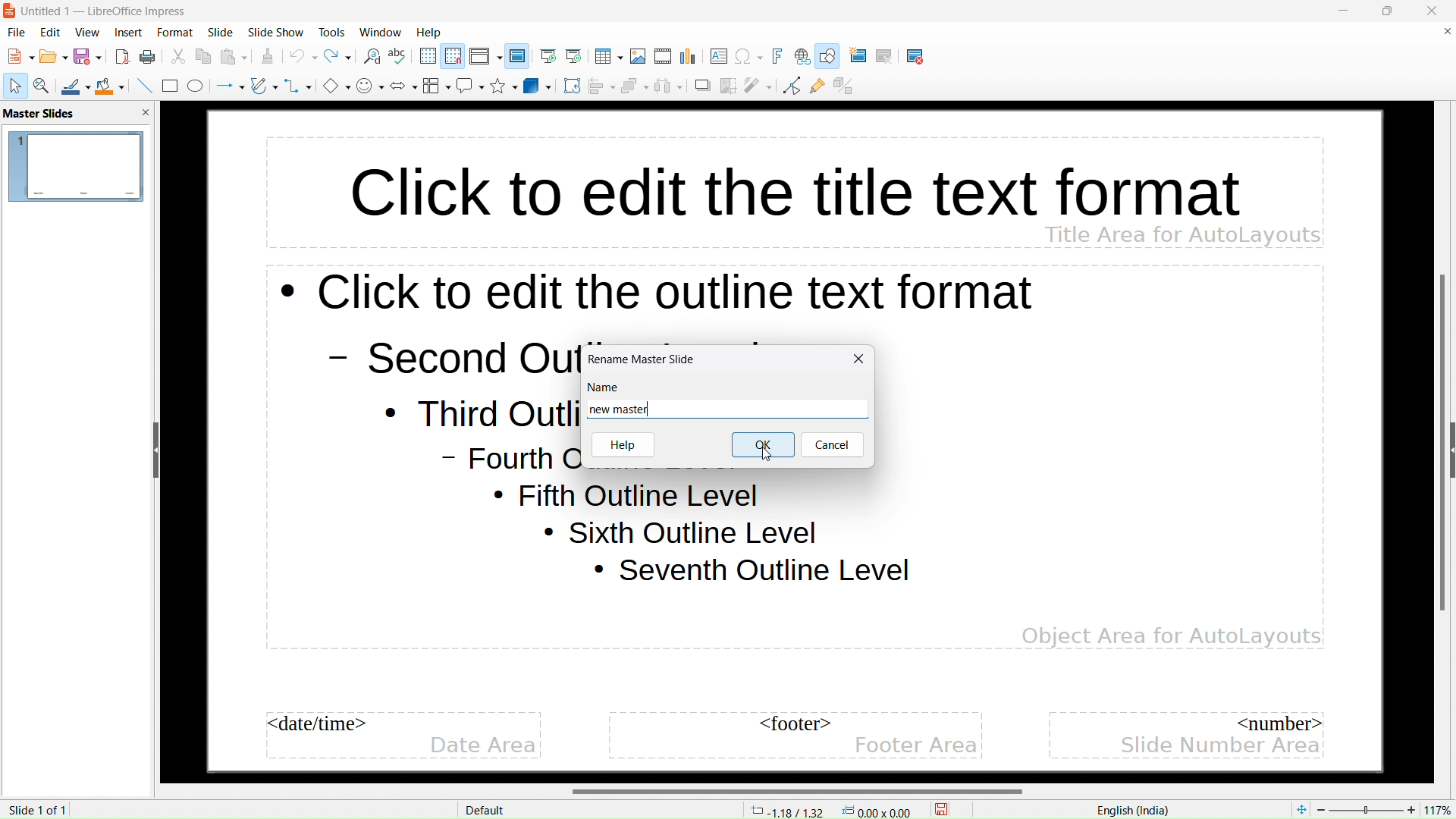 Image resolution: width=1456 pixels, height=819 pixels. I want to click on insert chart, so click(689, 56).